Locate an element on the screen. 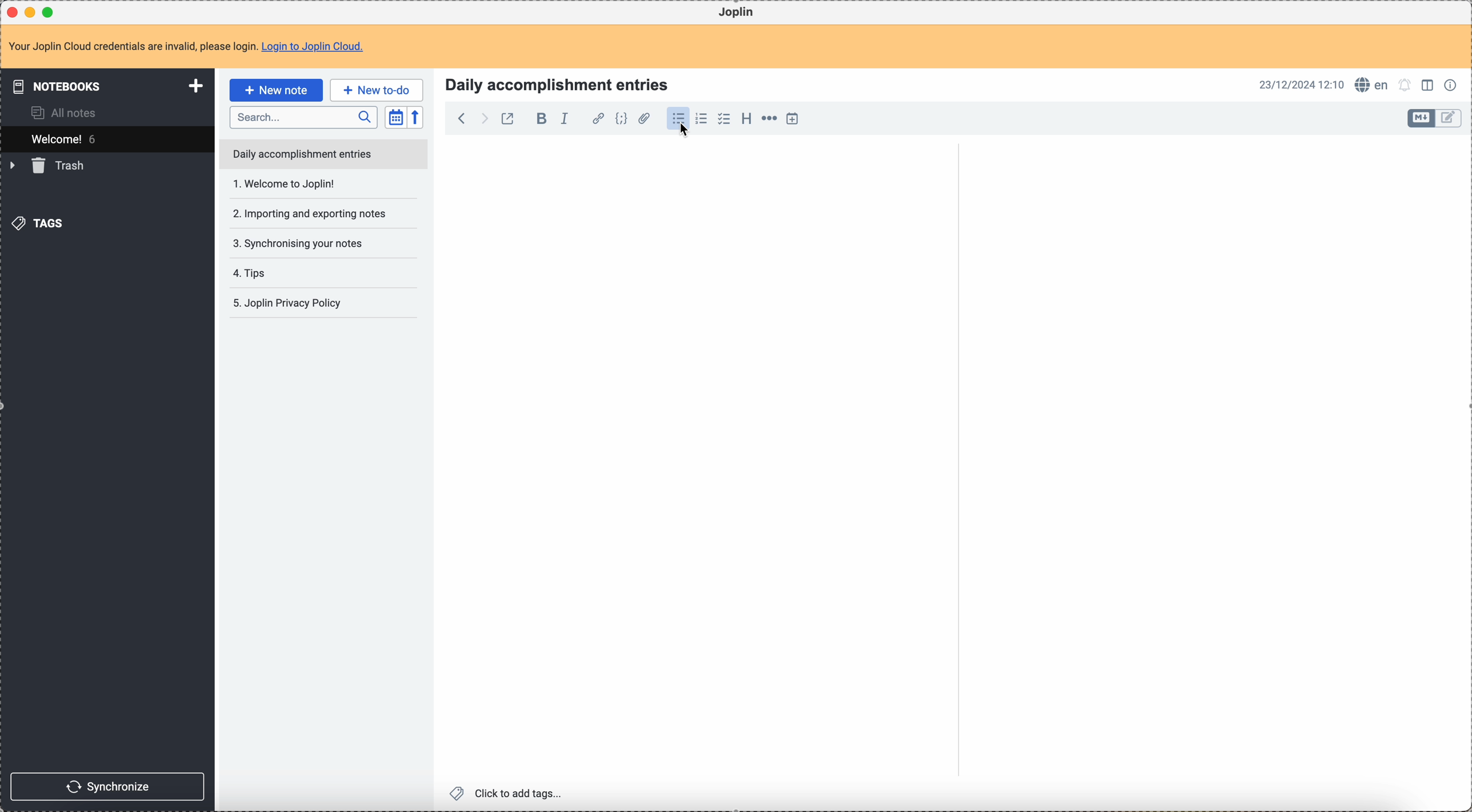 This screenshot has height=812, width=1472. back is located at coordinates (458, 118).